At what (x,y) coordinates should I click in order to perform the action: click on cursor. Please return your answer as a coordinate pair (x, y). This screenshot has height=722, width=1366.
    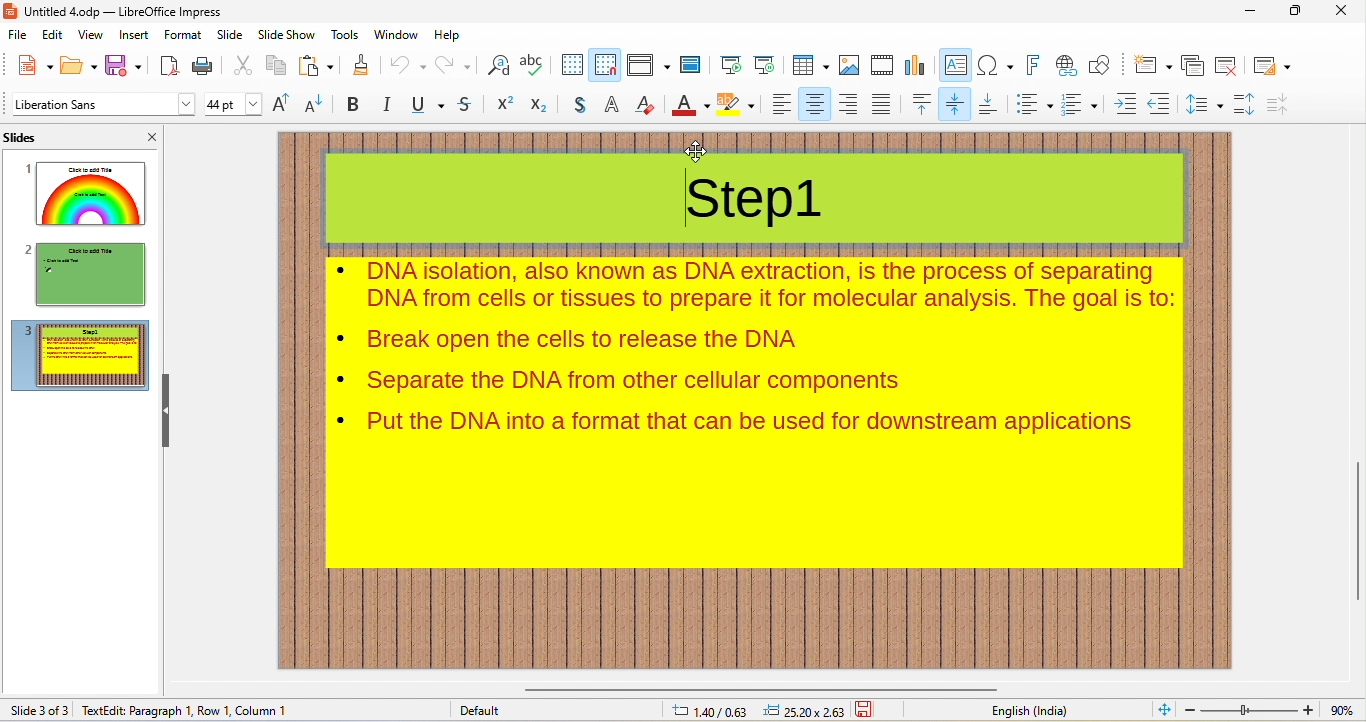
    Looking at the image, I should click on (695, 152).